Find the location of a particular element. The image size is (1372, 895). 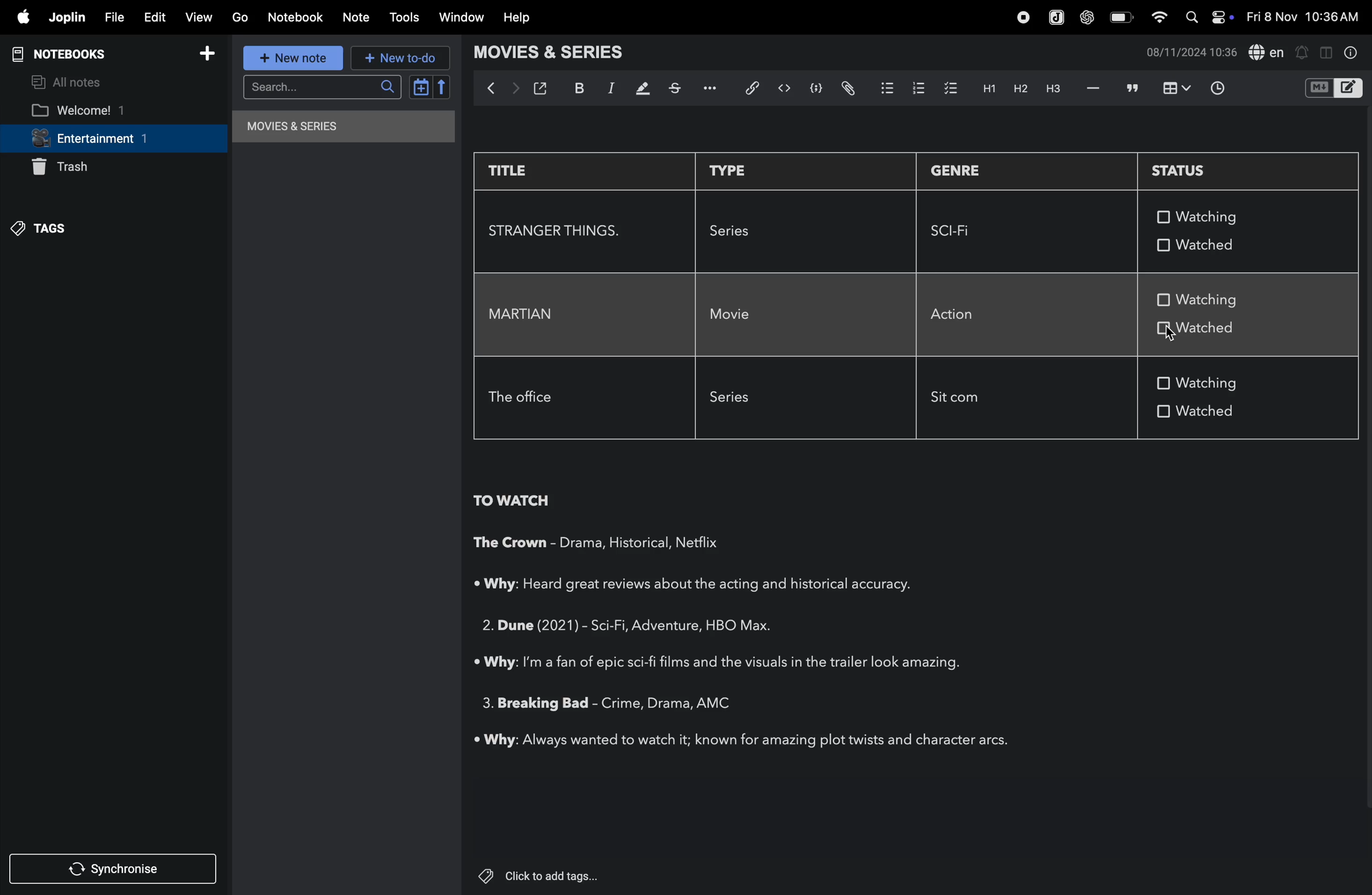

click to add tags is located at coordinates (541, 876).